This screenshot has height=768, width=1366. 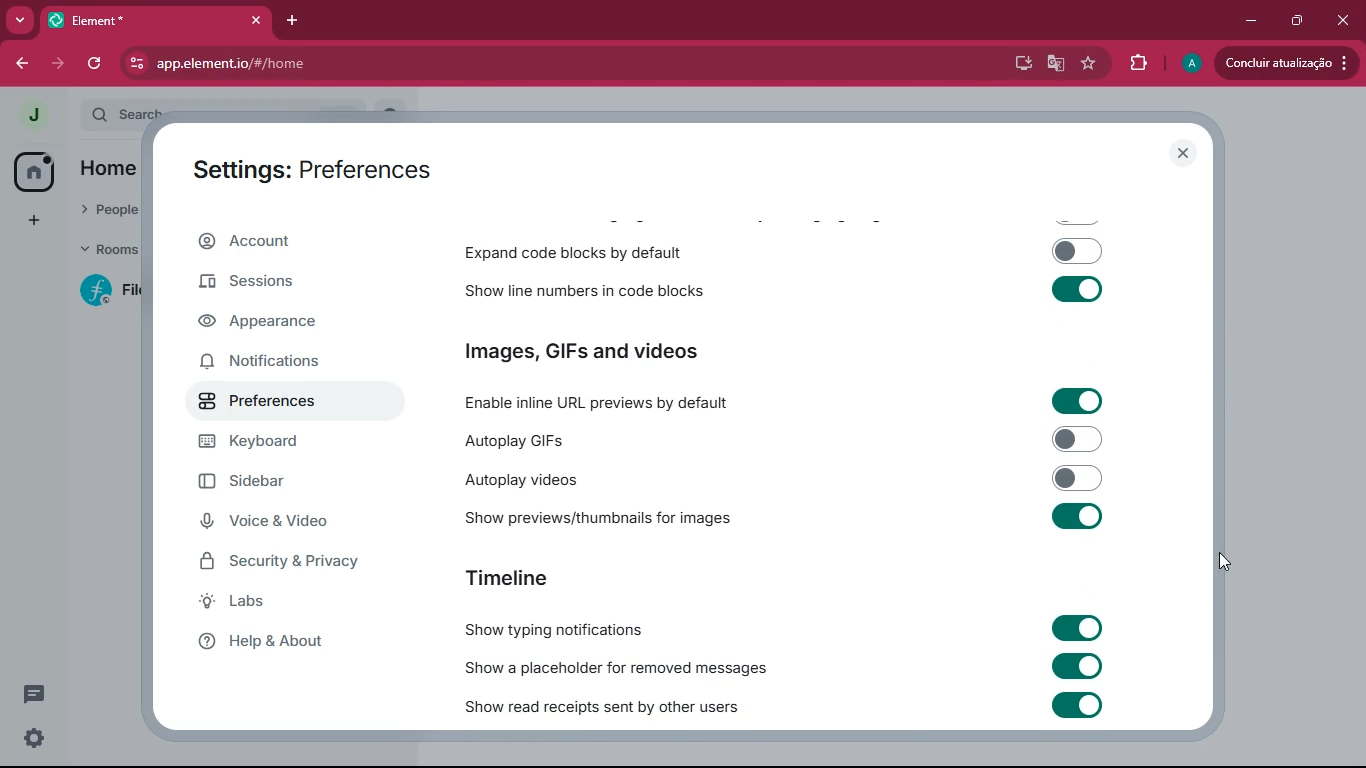 What do you see at coordinates (1252, 21) in the screenshot?
I see `minimize` at bounding box center [1252, 21].